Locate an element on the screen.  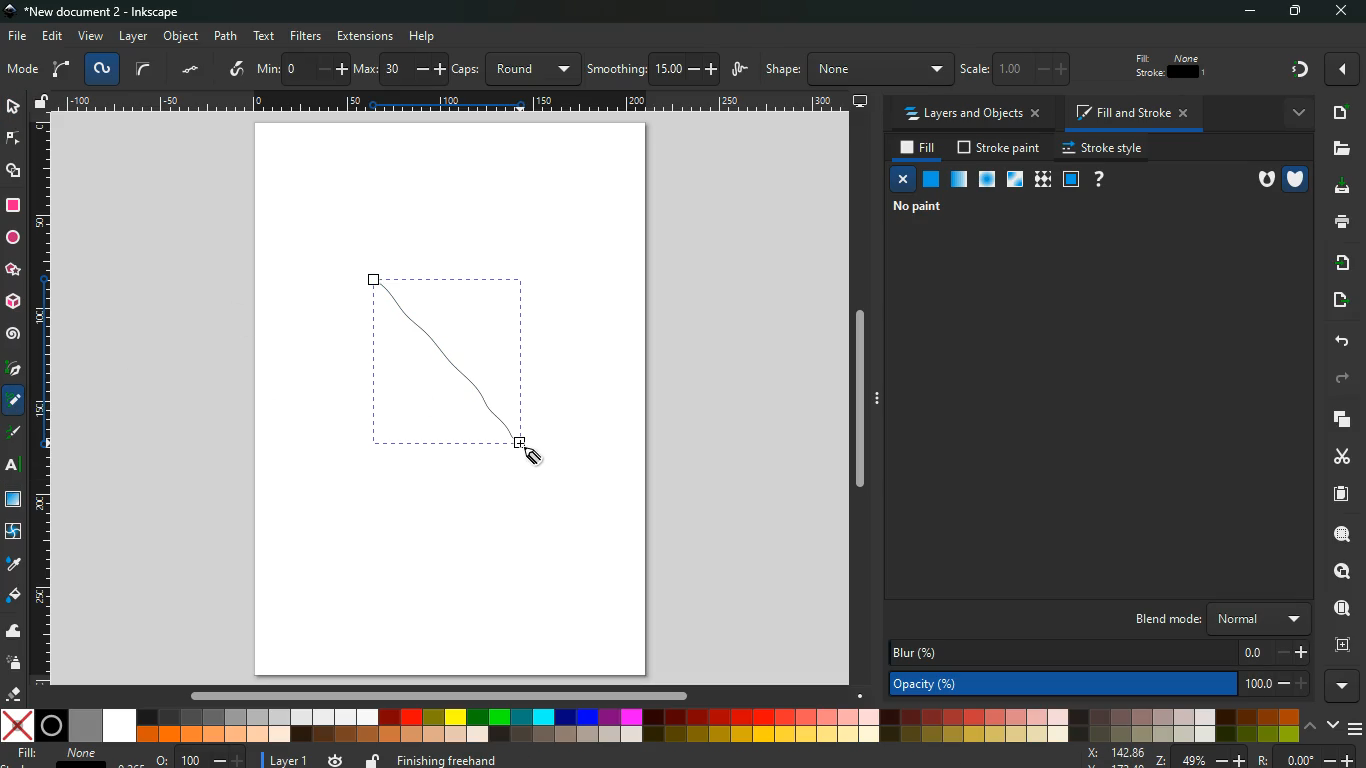
 is located at coordinates (860, 407).